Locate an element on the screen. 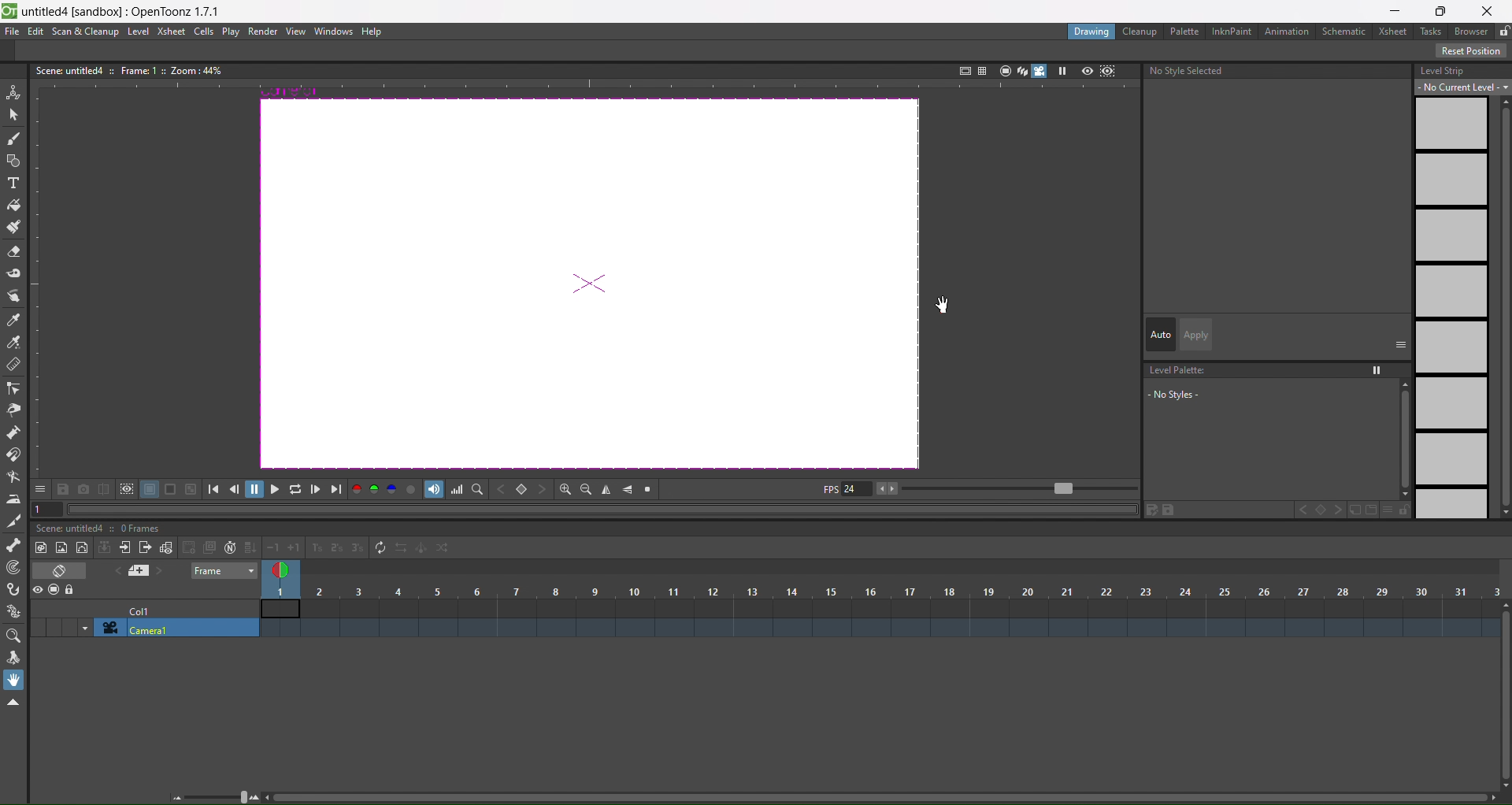  level strip is located at coordinates (1459, 288).